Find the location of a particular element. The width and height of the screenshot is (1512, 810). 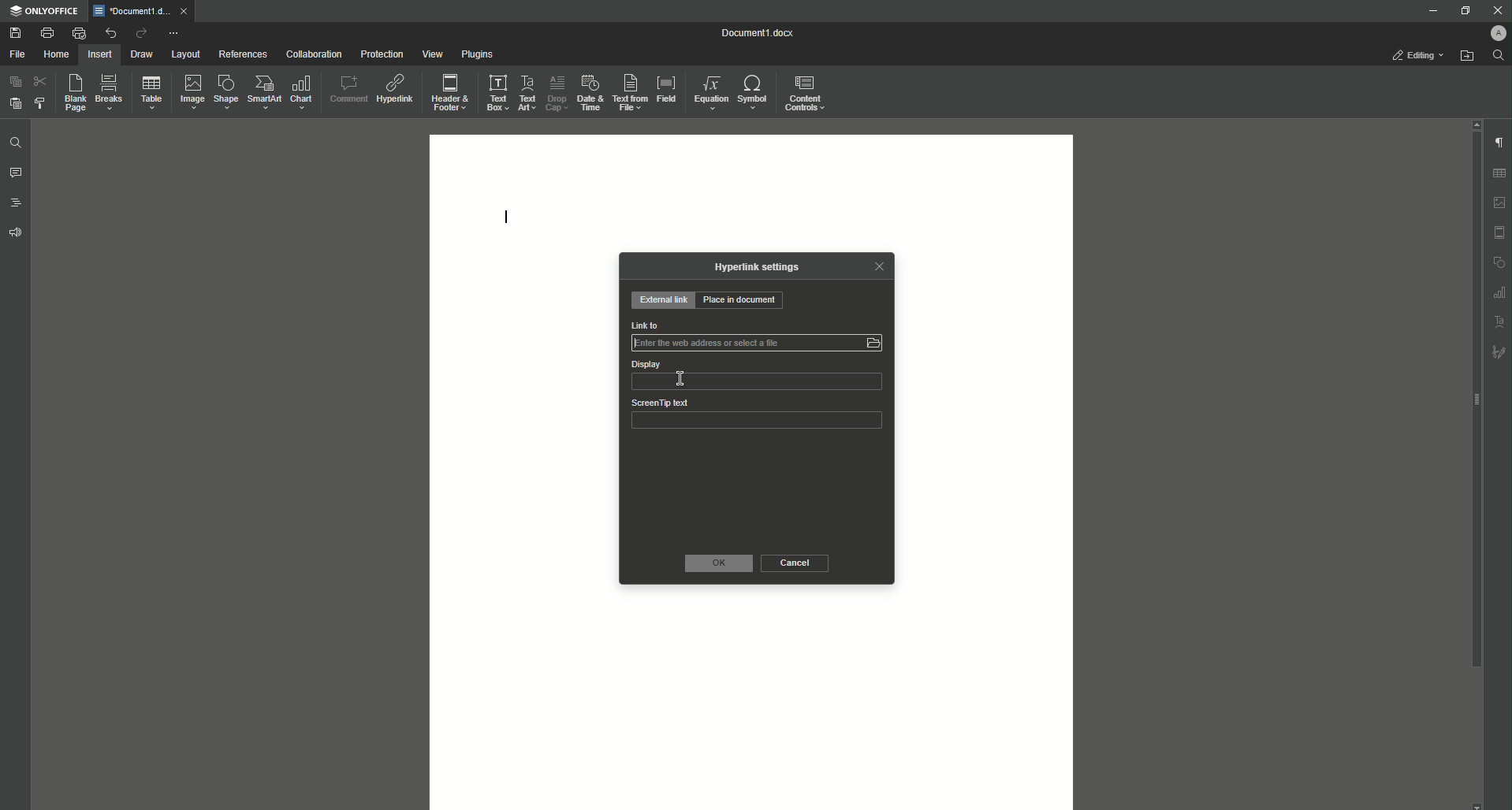

Restore is located at coordinates (1463, 12).